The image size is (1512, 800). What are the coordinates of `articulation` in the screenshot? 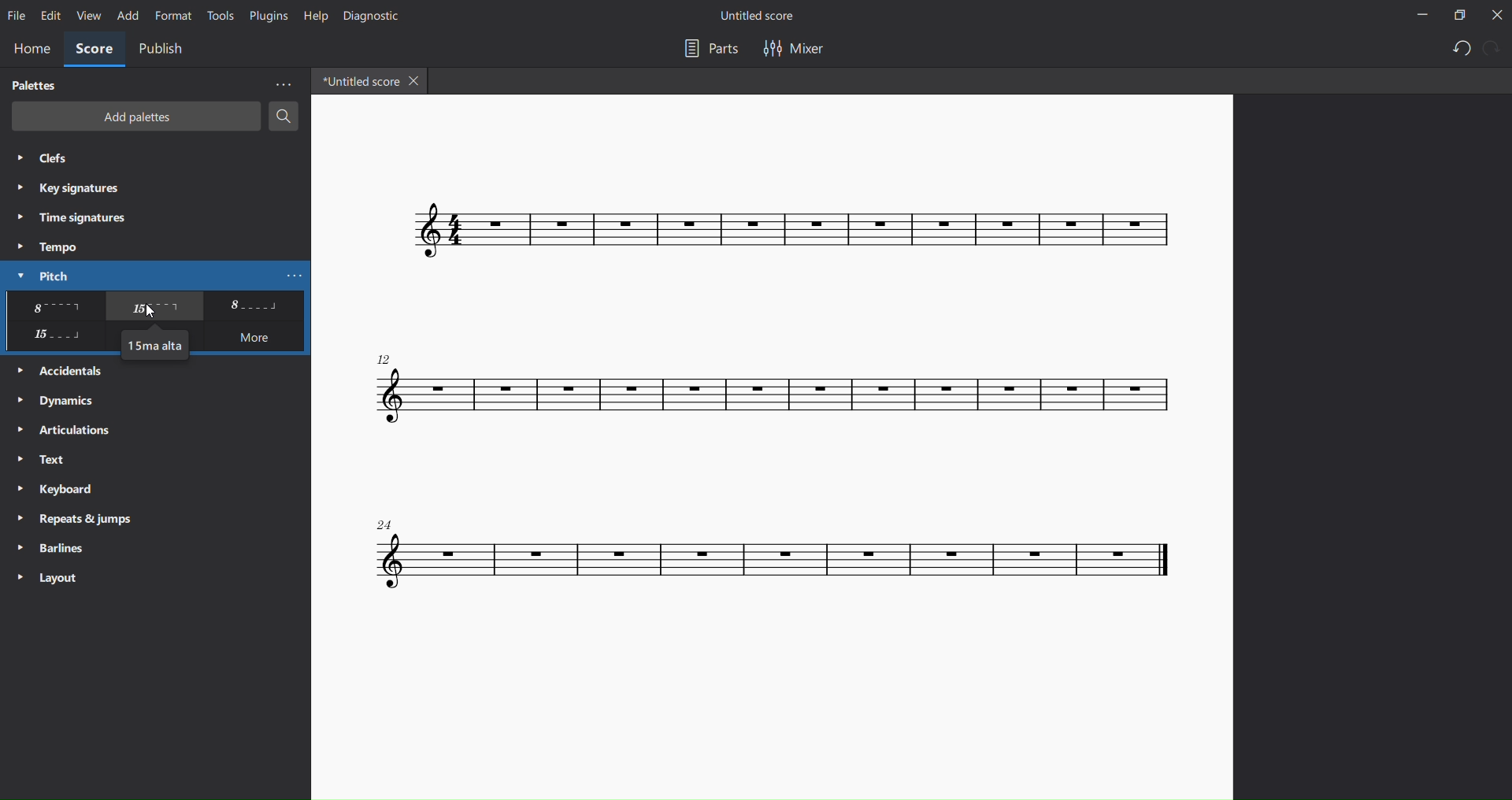 It's located at (70, 431).